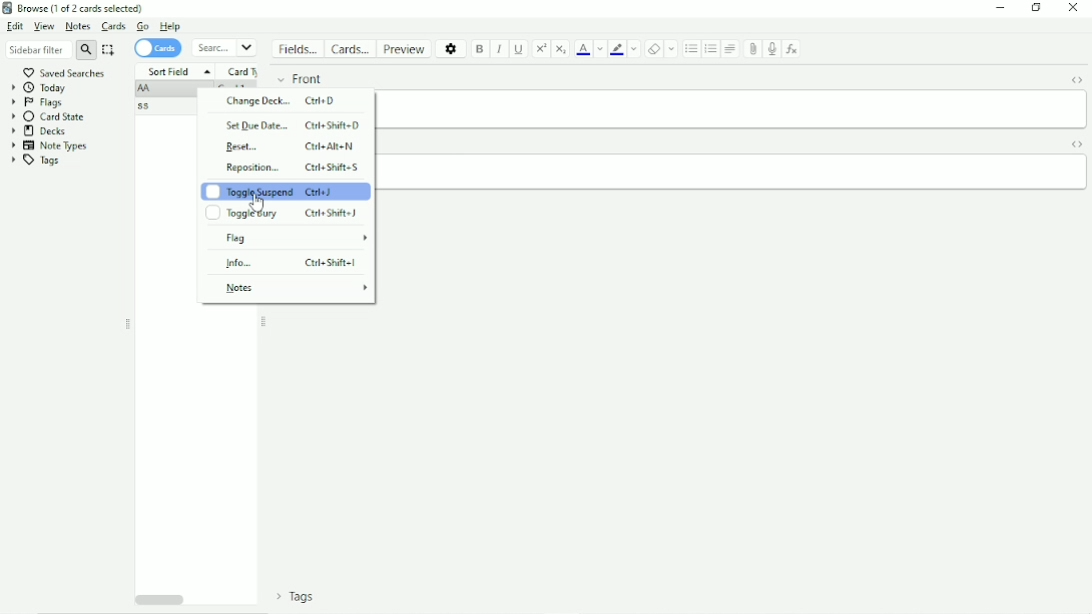  What do you see at coordinates (1034, 8) in the screenshot?
I see `Restore down` at bounding box center [1034, 8].